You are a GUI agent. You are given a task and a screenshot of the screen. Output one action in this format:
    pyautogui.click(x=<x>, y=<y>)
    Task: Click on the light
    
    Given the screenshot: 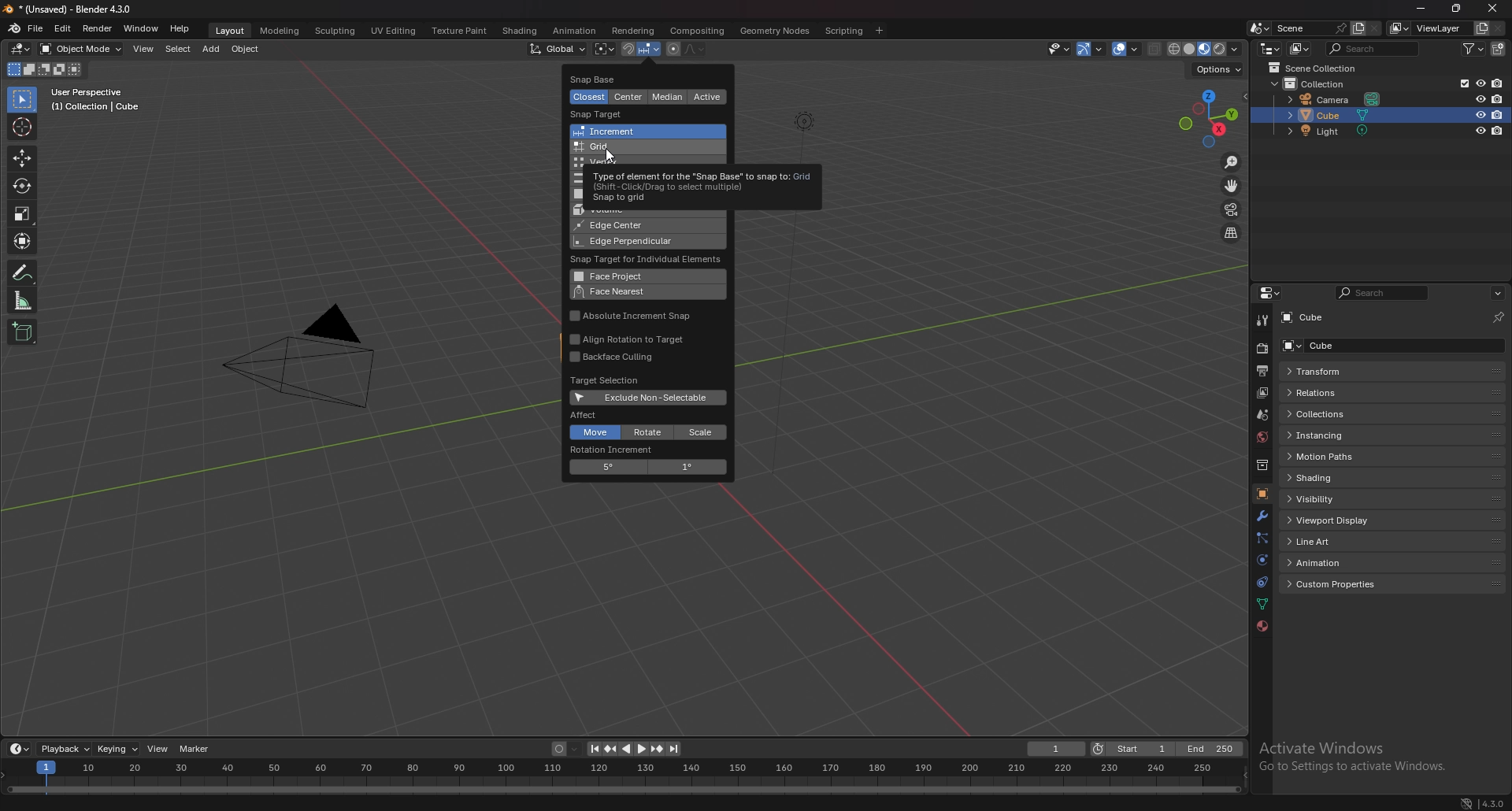 What is the action you would take?
    pyautogui.click(x=1335, y=131)
    